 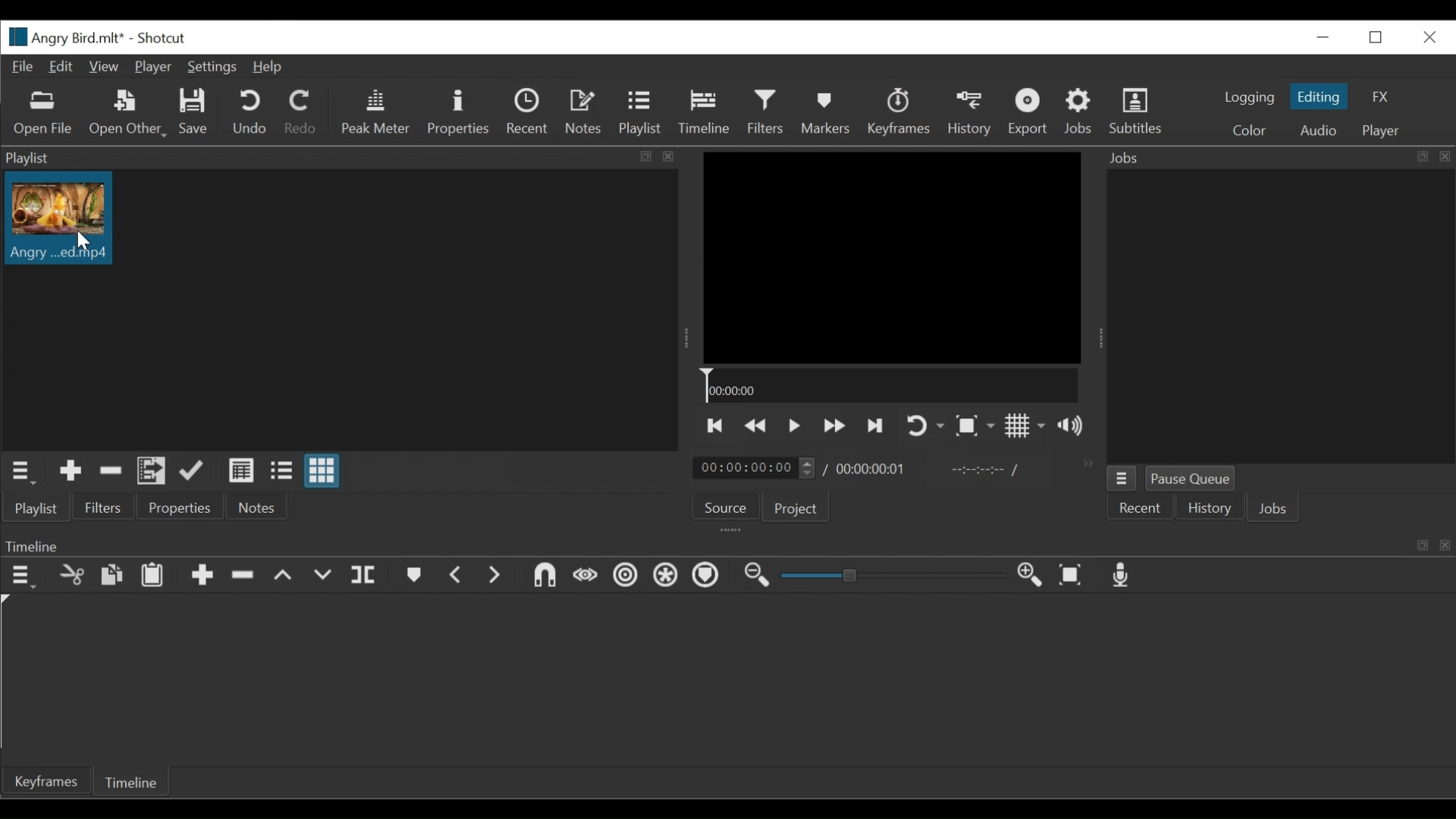 What do you see at coordinates (977, 428) in the screenshot?
I see `Toggle zoom` at bounding box center [977, 428].